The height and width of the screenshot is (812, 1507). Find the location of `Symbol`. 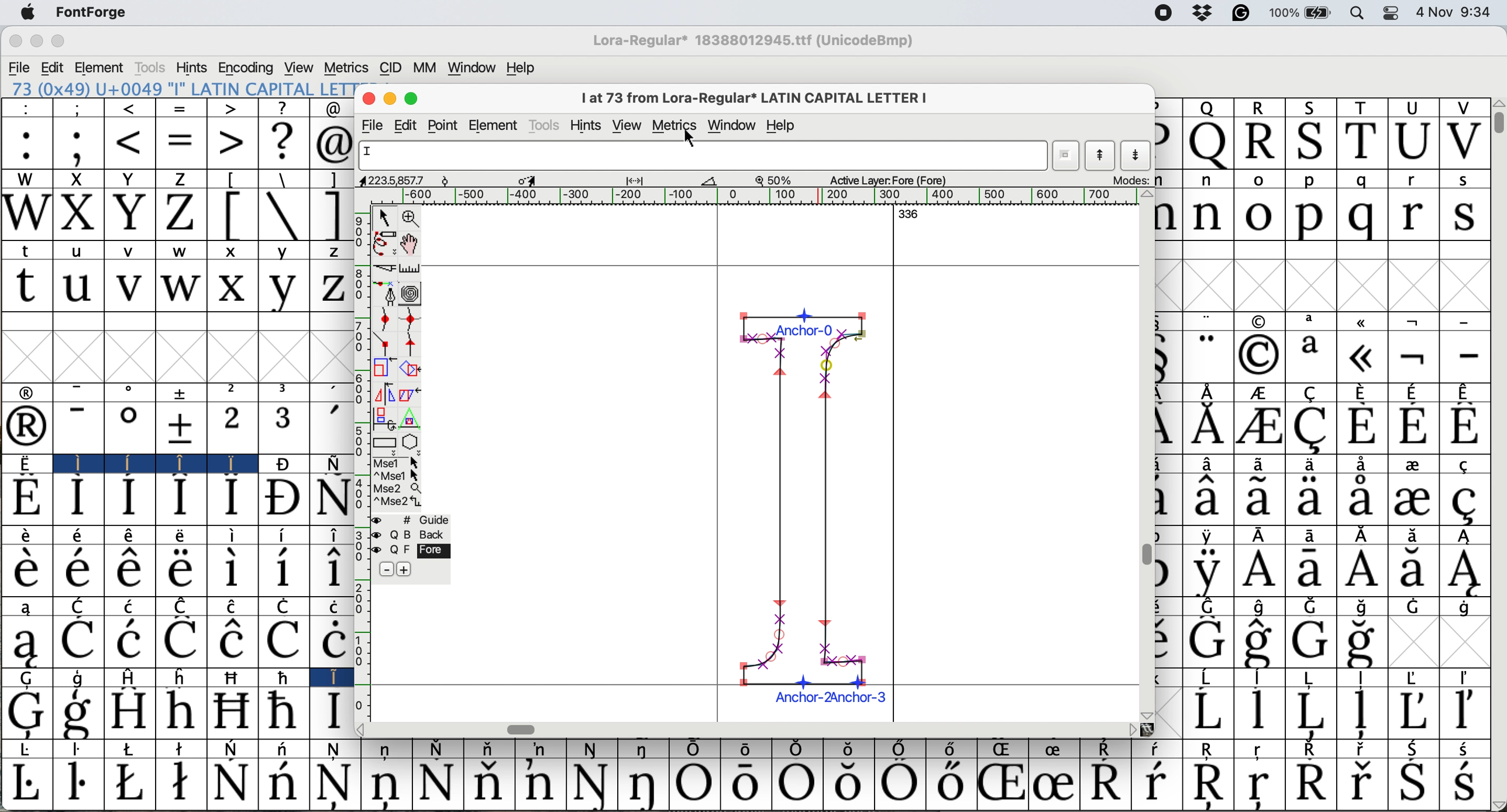

Symbol is located at coordinates (235, 605).